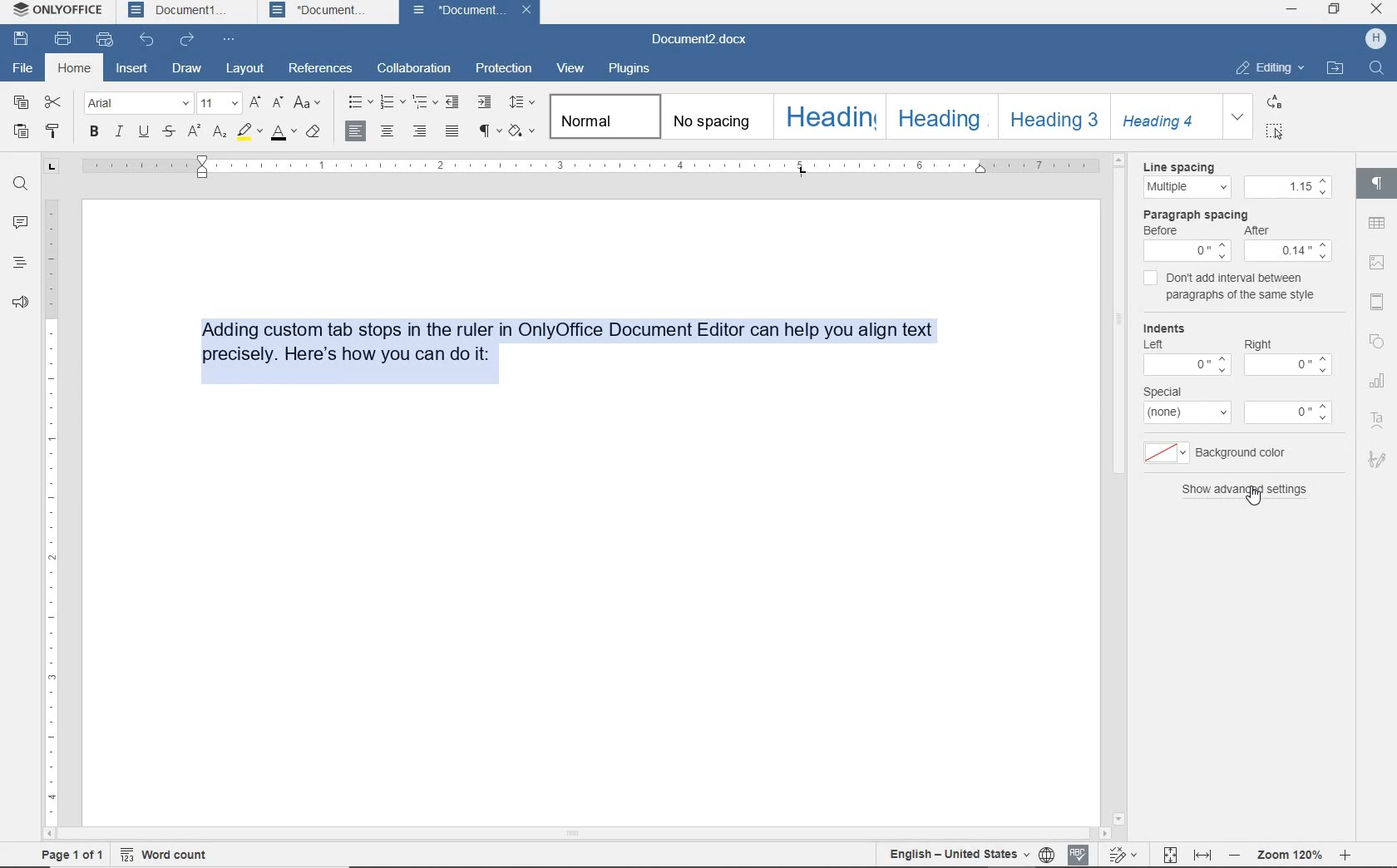 The height and width of the screenshot is (868, 1397). What do you see at coordinates (521, 131) in the screenshot?
I see `shading` at bounding box center [521, 131].